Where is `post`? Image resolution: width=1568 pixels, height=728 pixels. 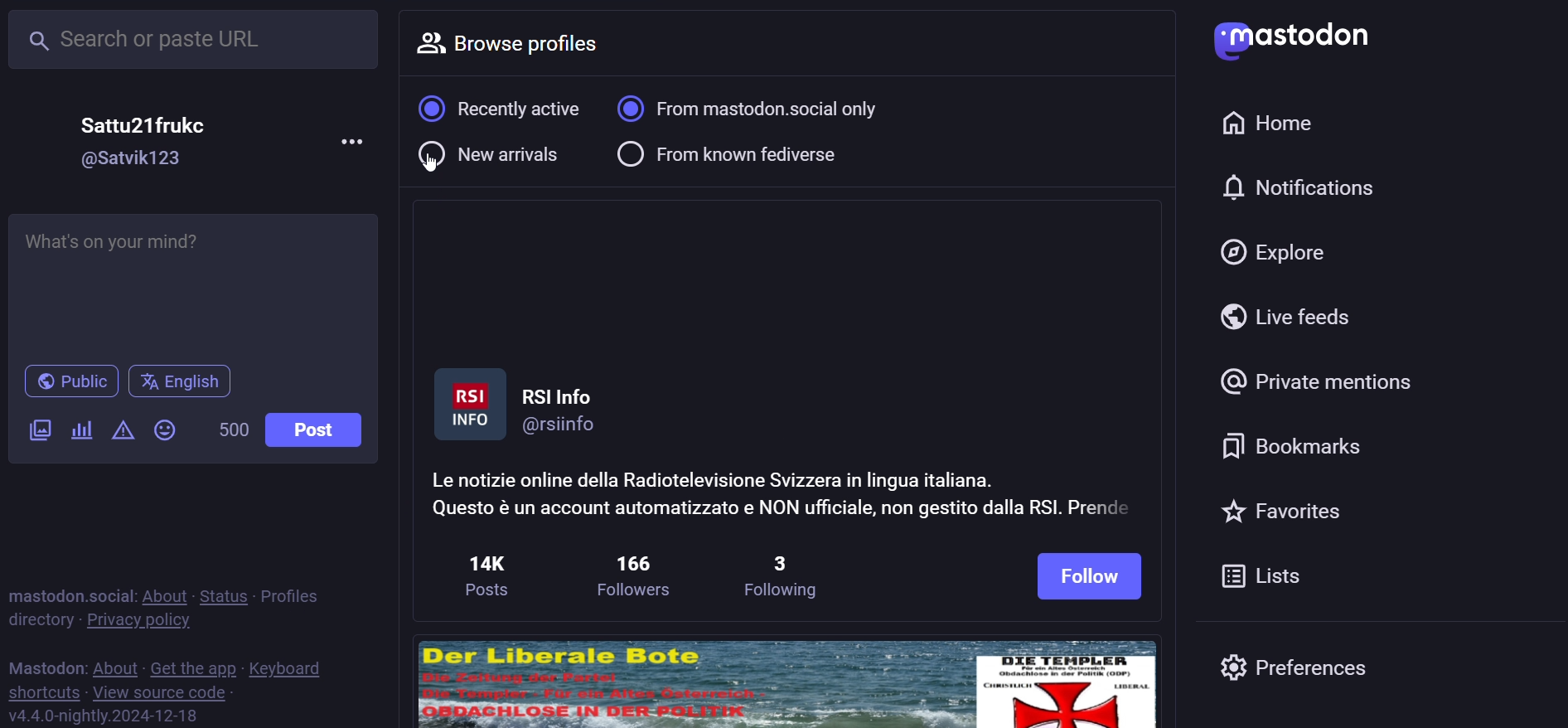 post is located at coordinates (321, 434).